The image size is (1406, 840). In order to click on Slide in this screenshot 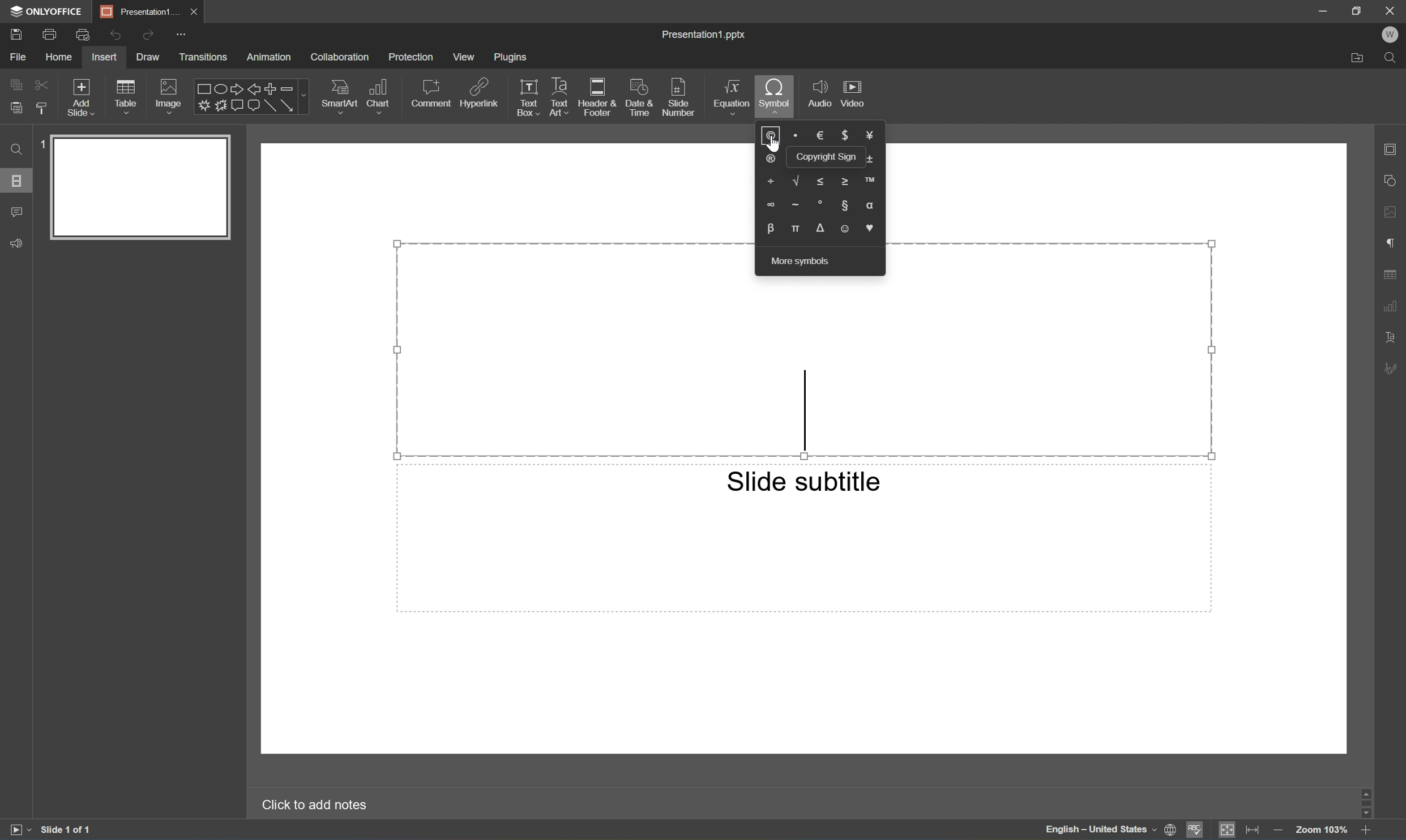, I will do `click(140, 187)`.